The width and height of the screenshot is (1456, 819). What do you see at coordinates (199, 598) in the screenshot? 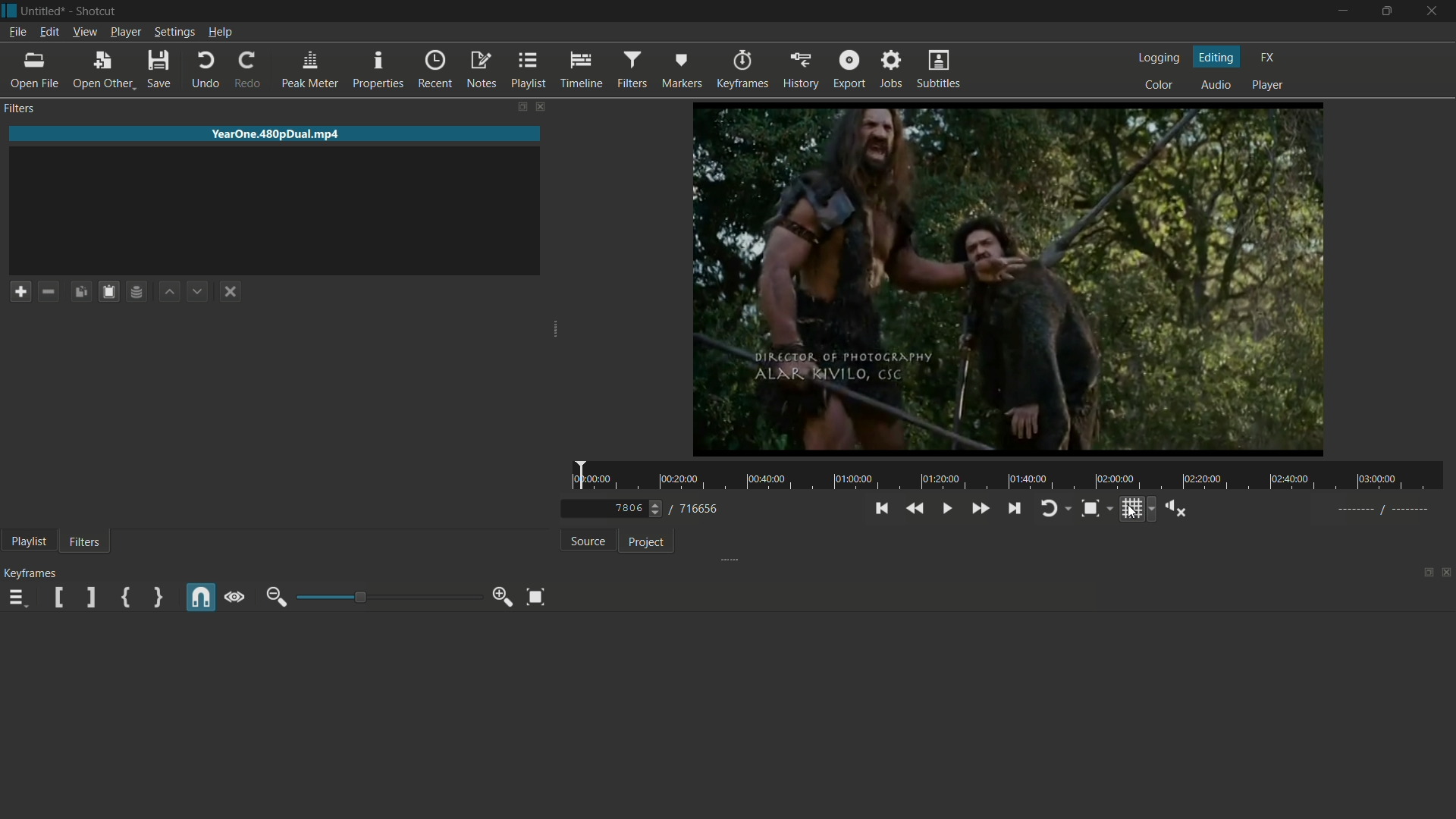
I see `snap` at bounding box center [199, 598].